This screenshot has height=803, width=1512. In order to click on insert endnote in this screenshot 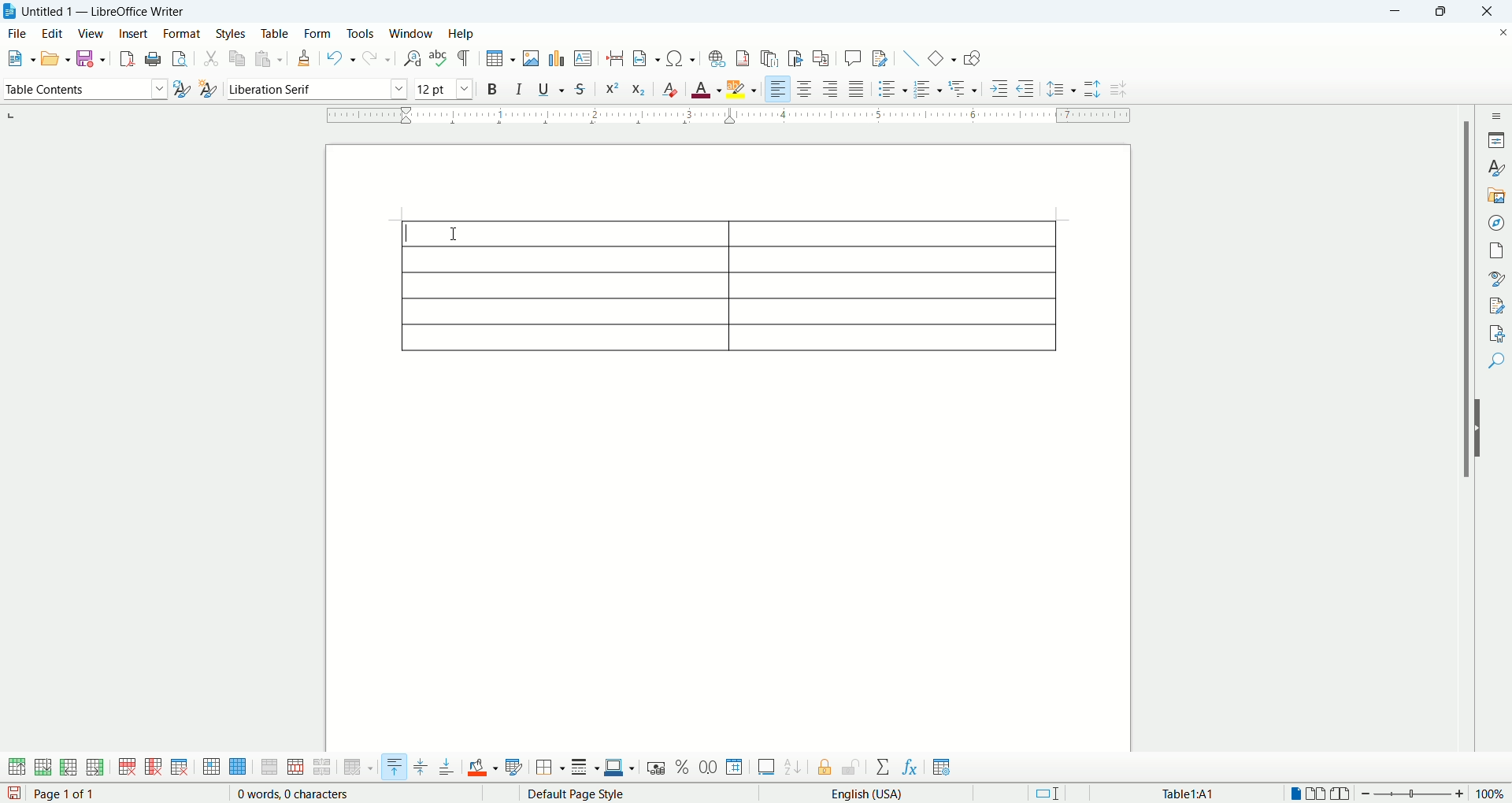, I will do `click(773, 58)`.